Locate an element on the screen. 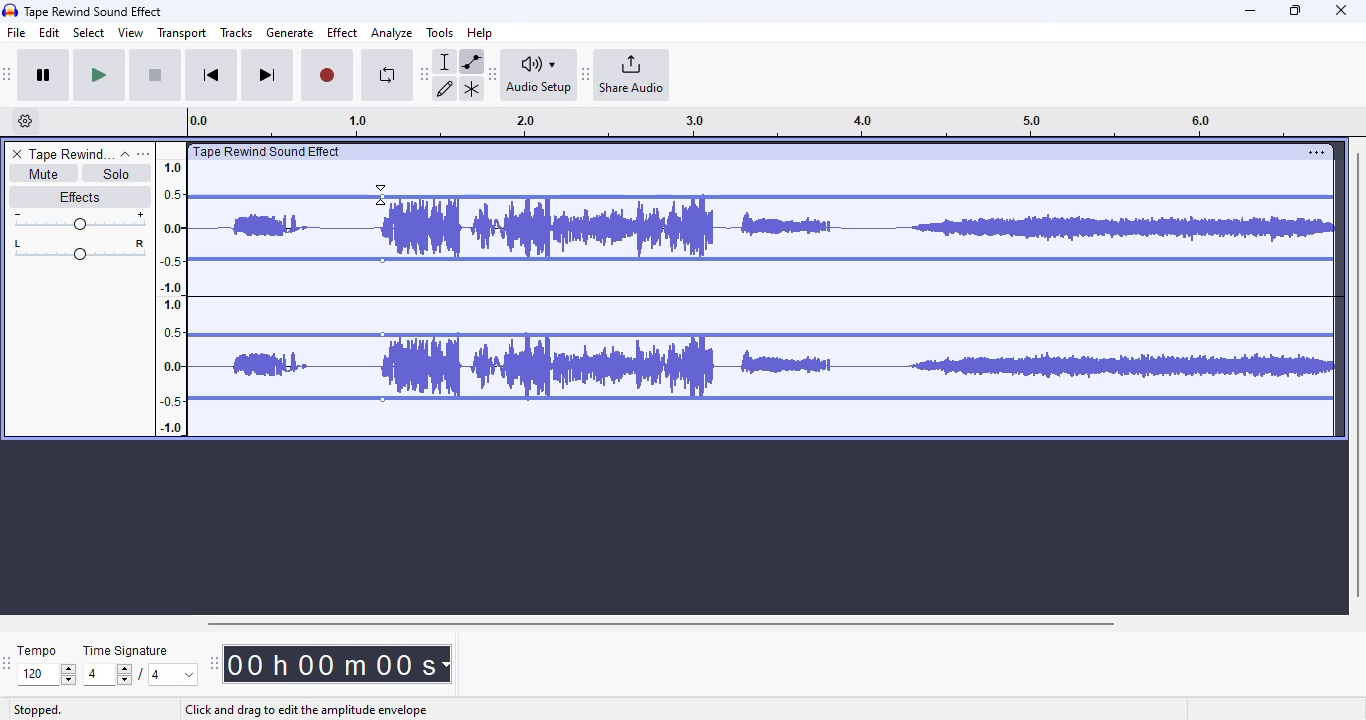 The image size is (1366, 720). tracks is located at coordinates (236, 34).